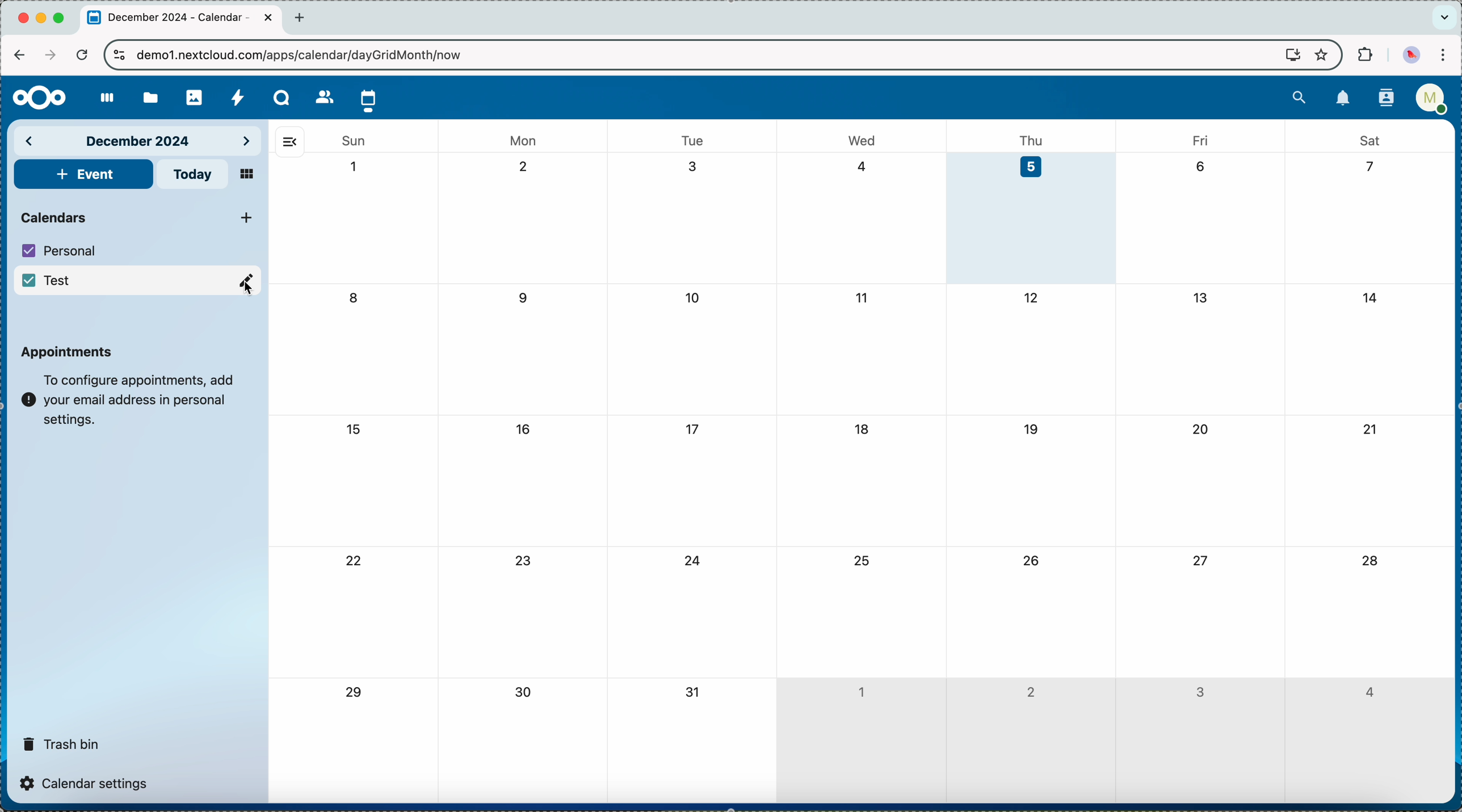 Image resolution: width=1462 pixels, height=812 pixels. Describe the element at coordinates (56, 216) in the screenshot. I see `calendars` at that location.